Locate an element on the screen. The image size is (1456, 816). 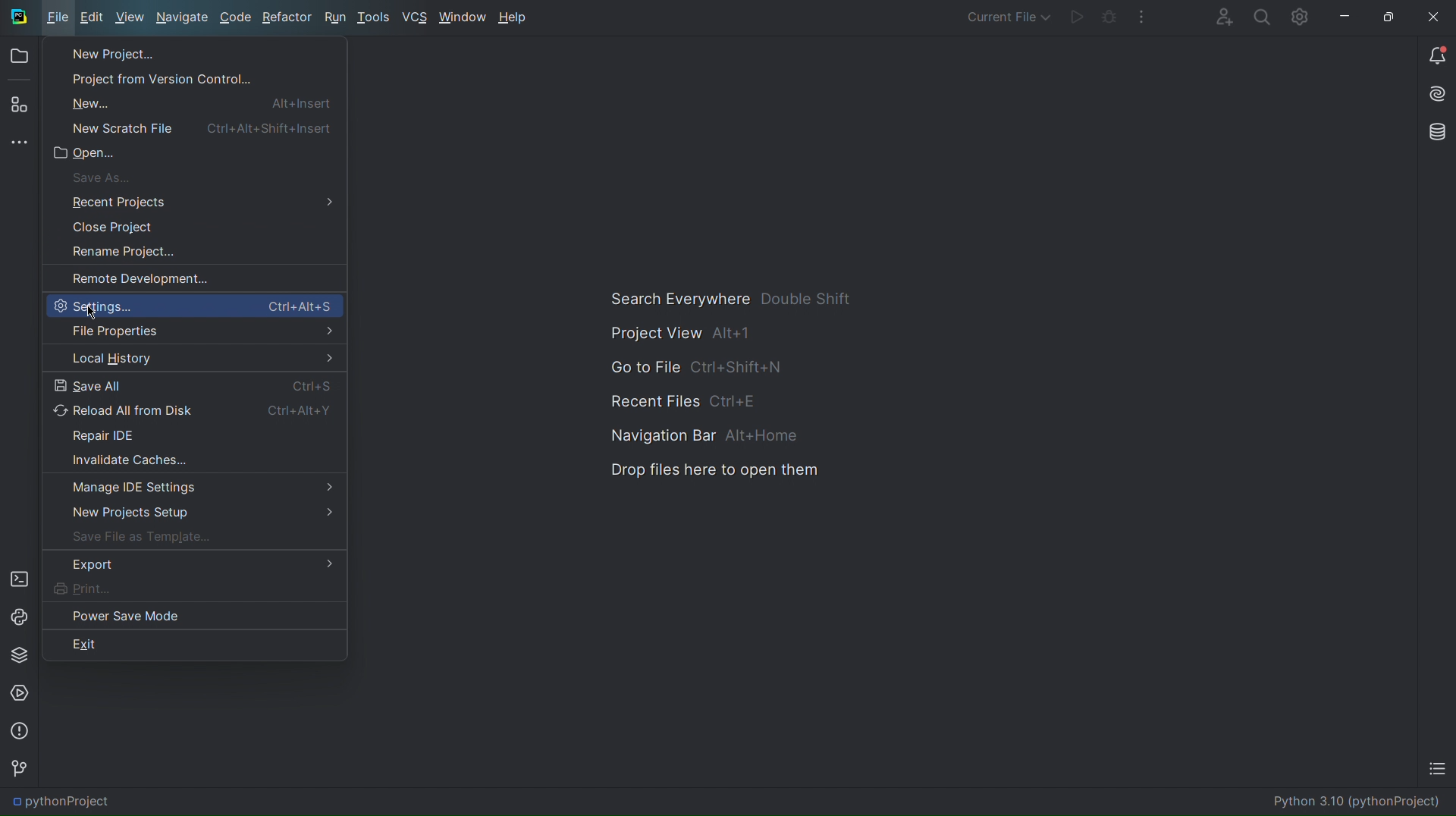
Edit is located at coordinates (89, 19).